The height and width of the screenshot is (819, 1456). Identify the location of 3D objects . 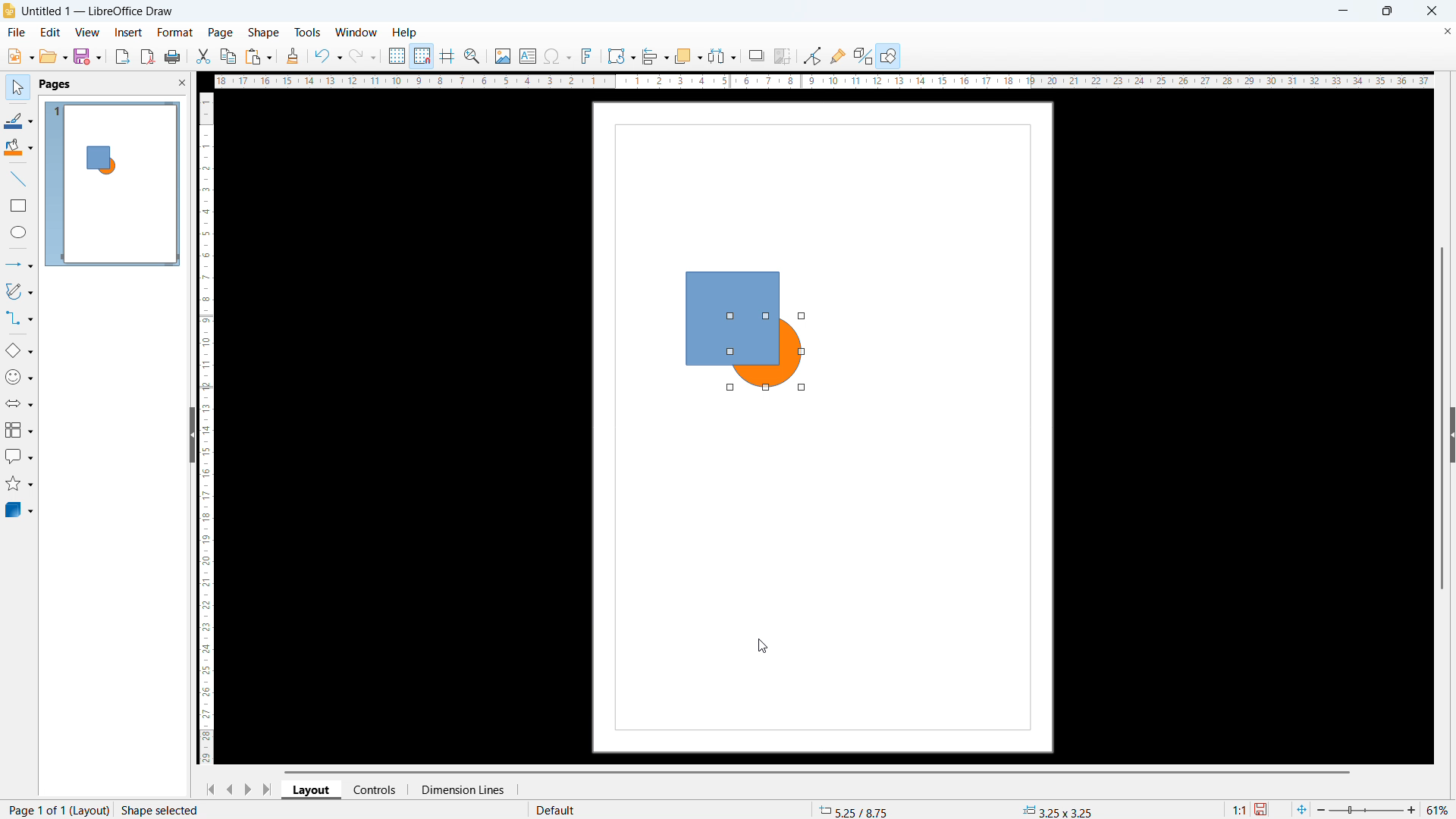
(18, 510).